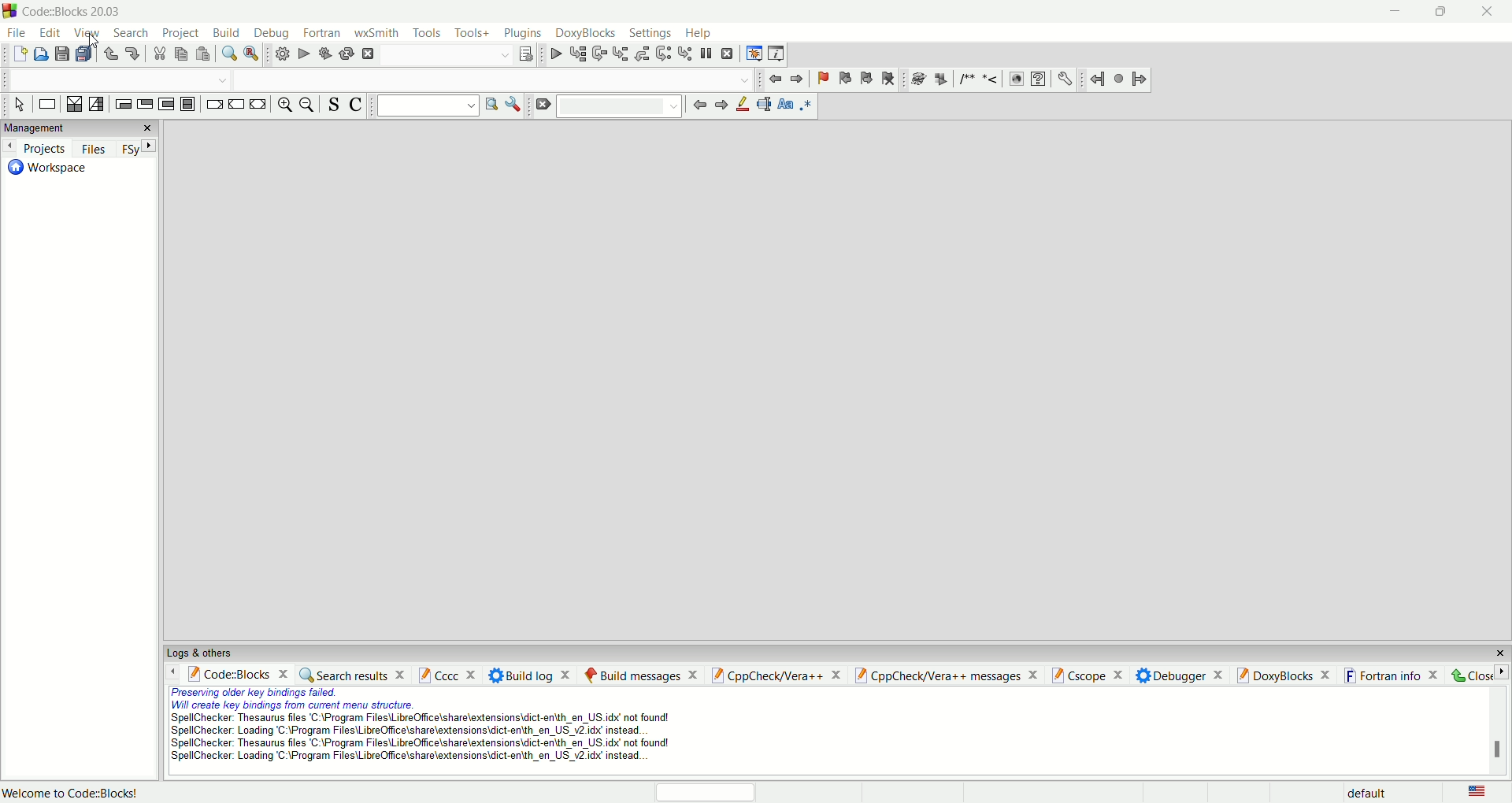  I want to click on debugging windows, so click(753, 53).